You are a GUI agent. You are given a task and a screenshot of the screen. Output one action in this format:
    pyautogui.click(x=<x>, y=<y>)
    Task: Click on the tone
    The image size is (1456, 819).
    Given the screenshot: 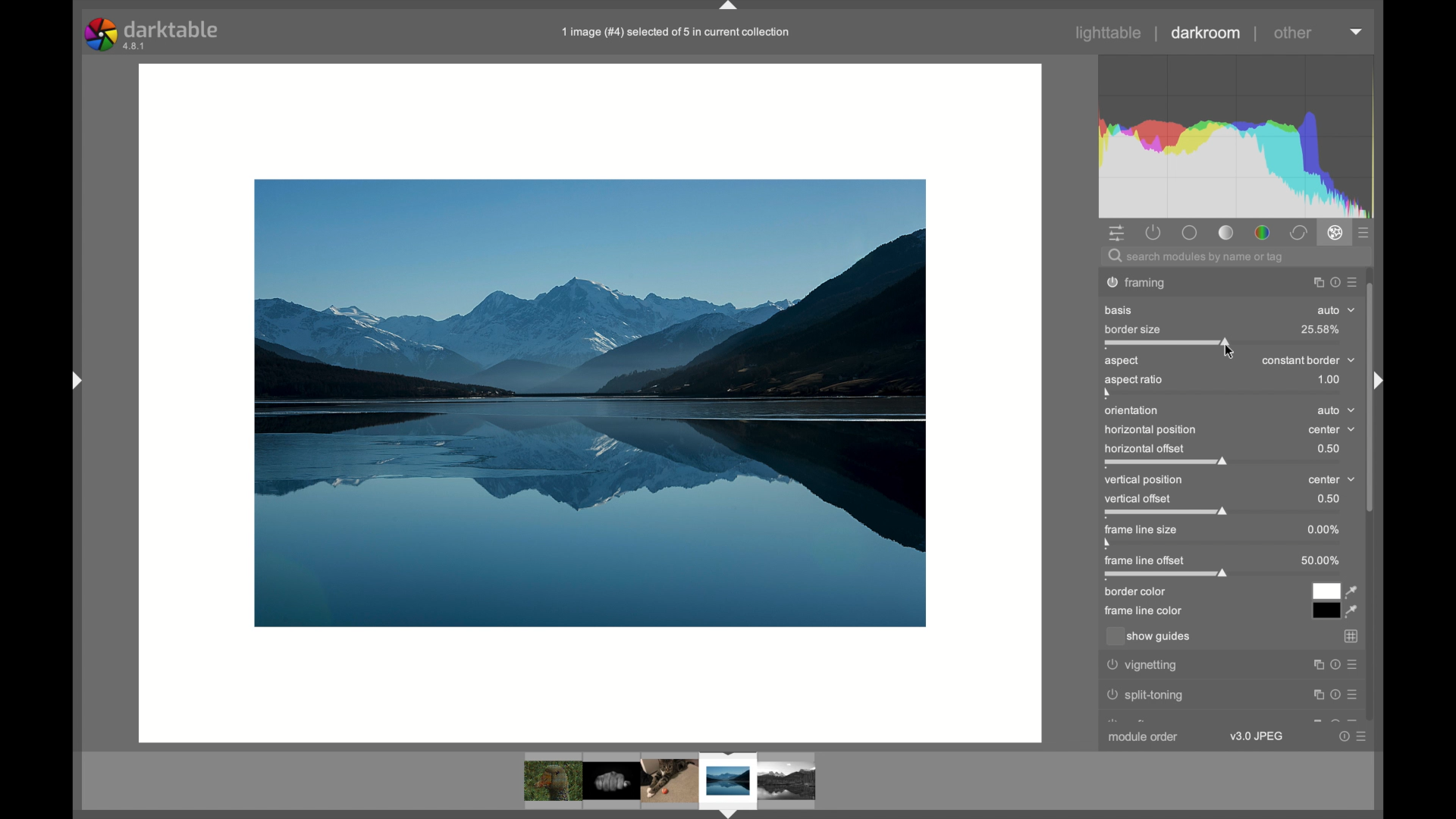 What is the action you would take?
    pyautogui.click(x=1188, y=233)
    